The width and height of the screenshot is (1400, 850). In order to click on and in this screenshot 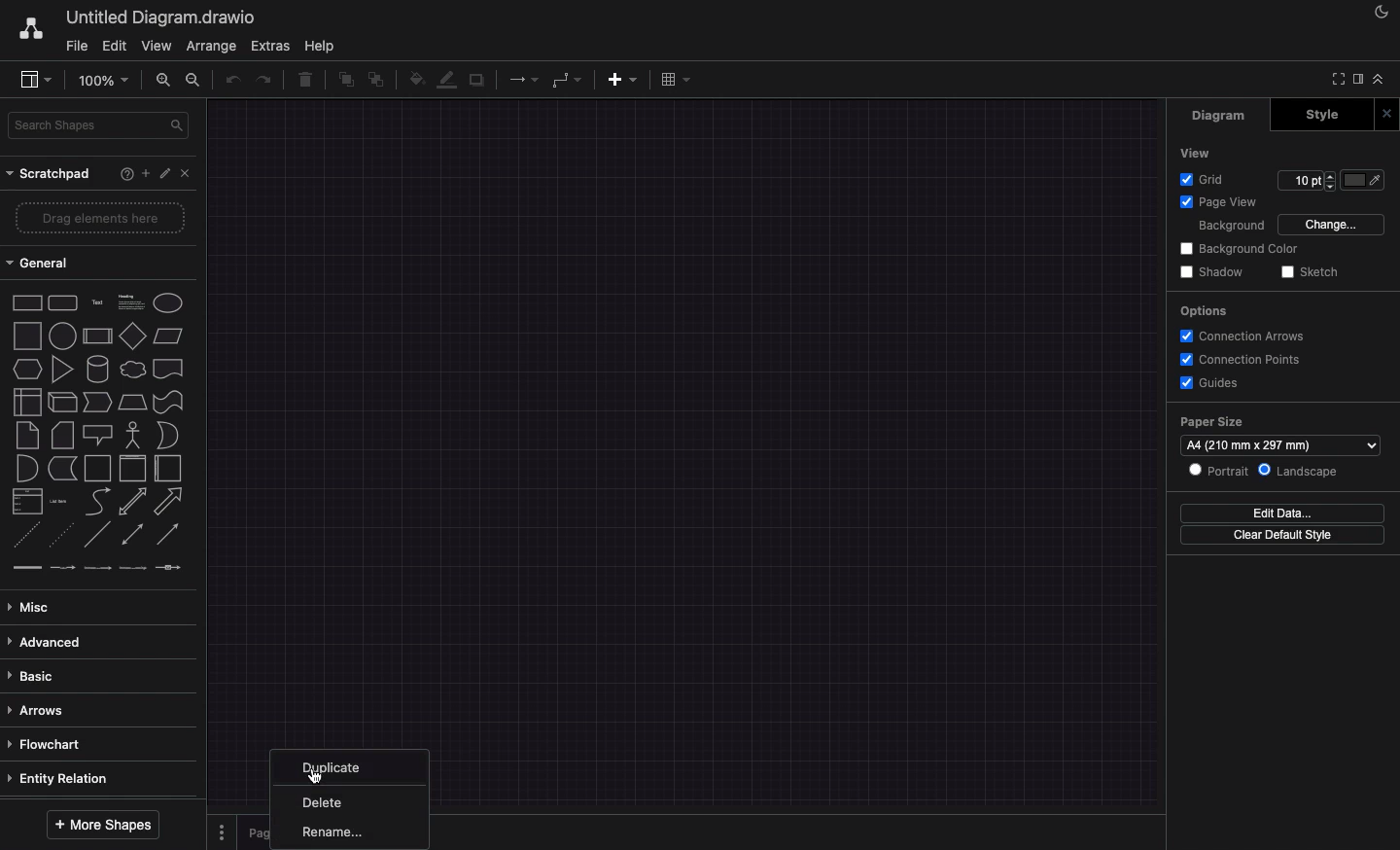, I will do `click(27, 469)`.